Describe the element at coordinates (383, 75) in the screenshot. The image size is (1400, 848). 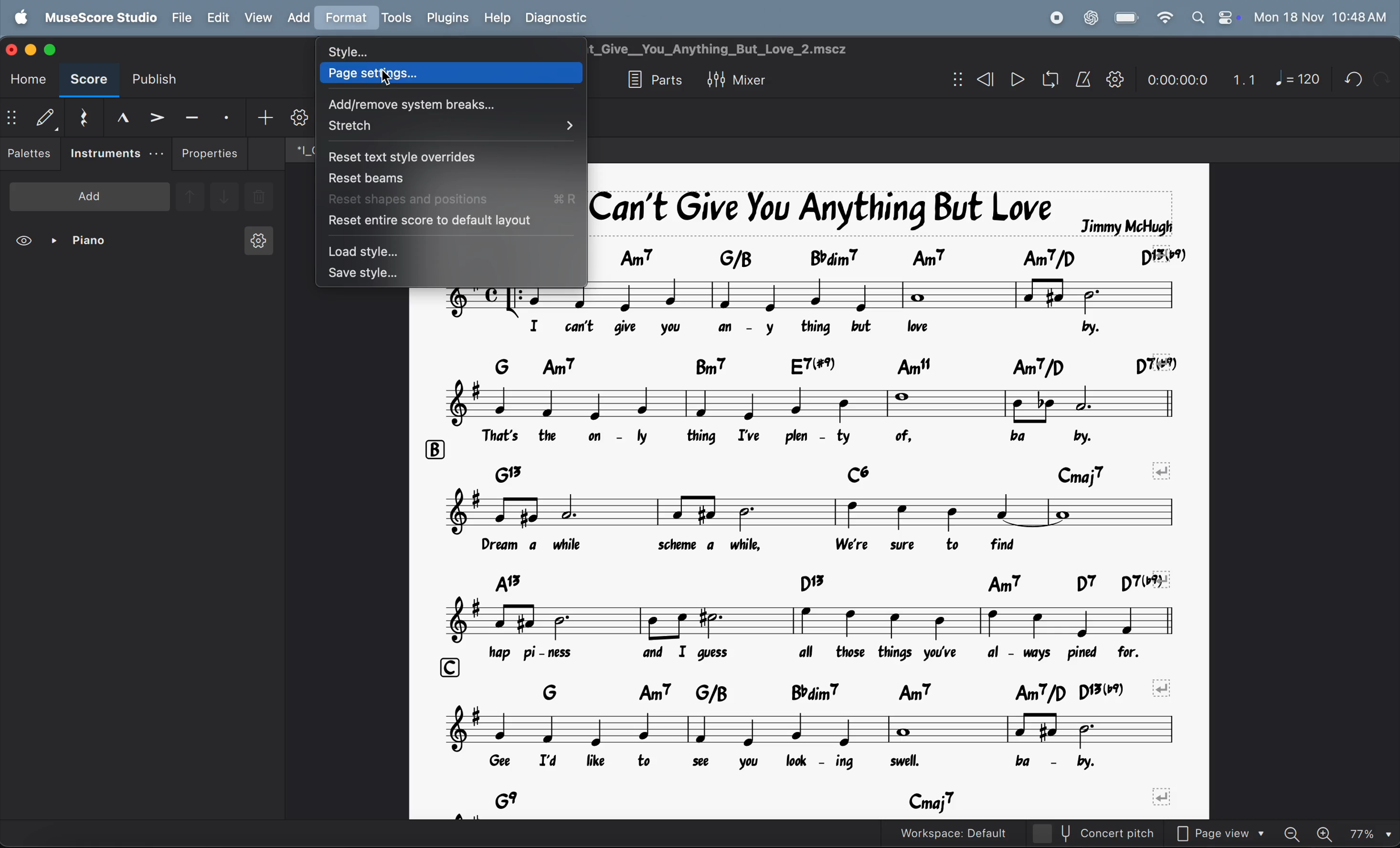
I see `cursor` at that location.